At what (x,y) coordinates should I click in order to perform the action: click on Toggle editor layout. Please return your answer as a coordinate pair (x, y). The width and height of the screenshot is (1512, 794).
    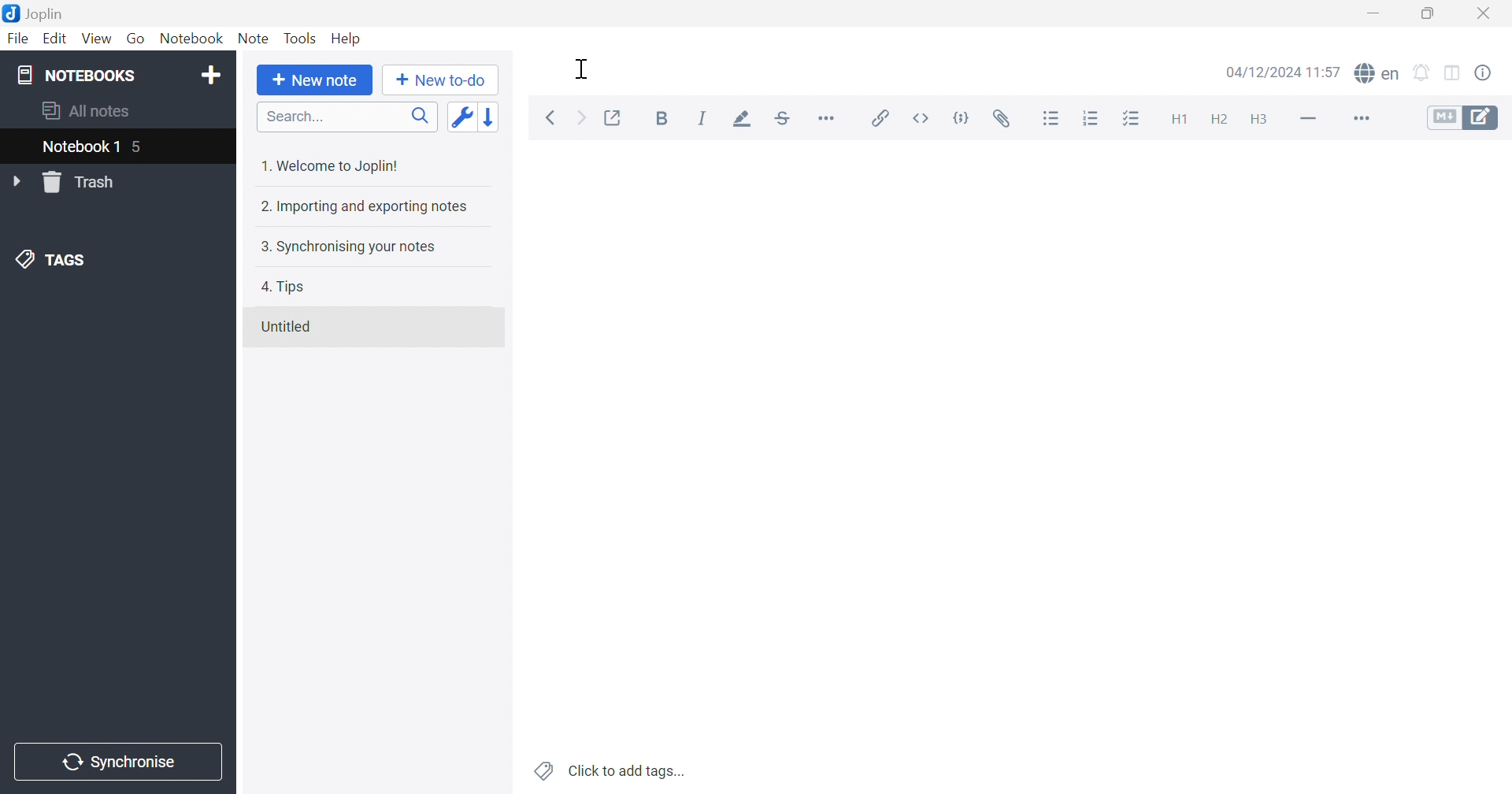
    Looking at the image, I should click on (1454, 74).